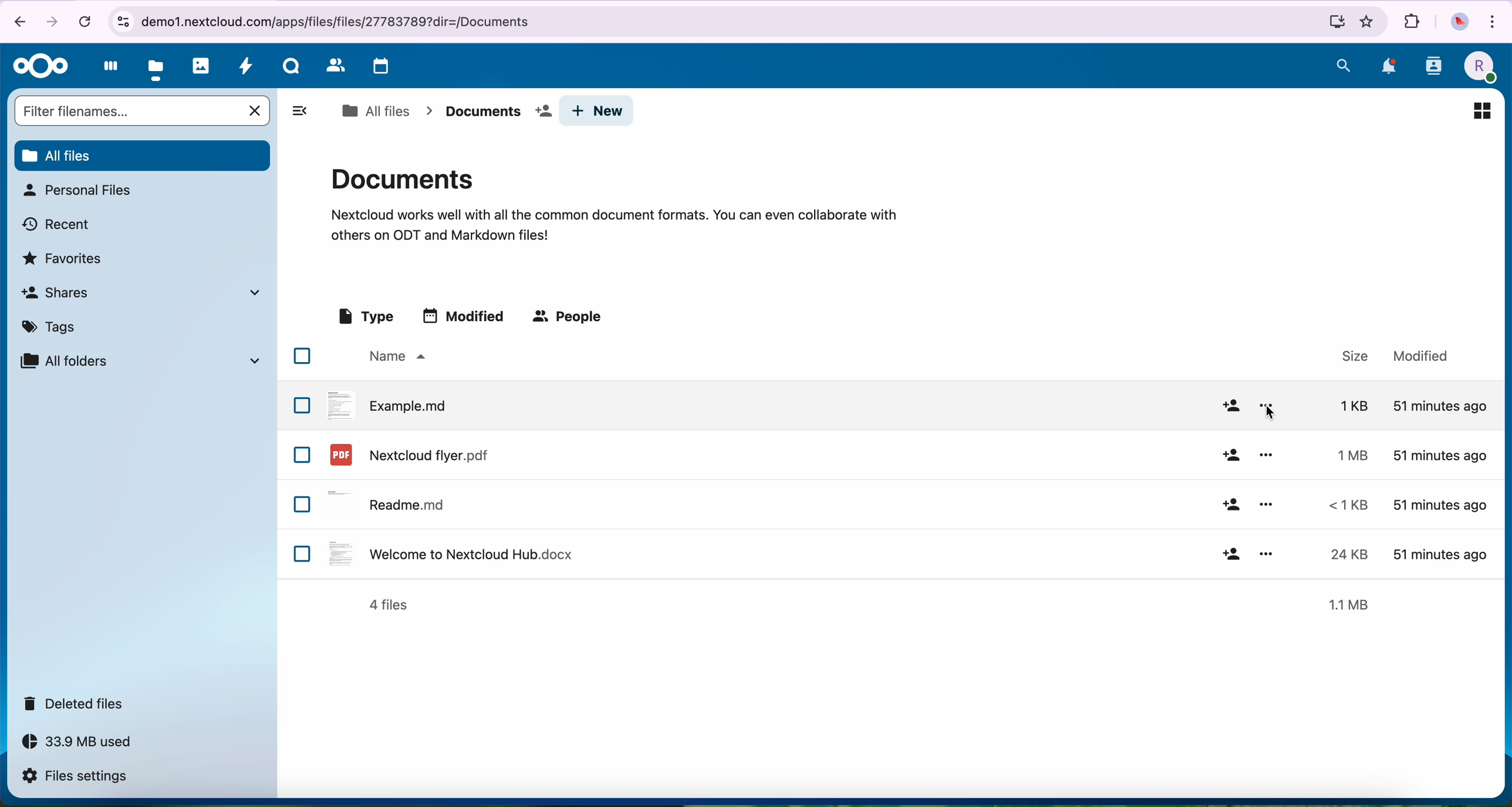  Describe the element at coordinates (247, 69) in the screenshot. I see `activity` at that location.